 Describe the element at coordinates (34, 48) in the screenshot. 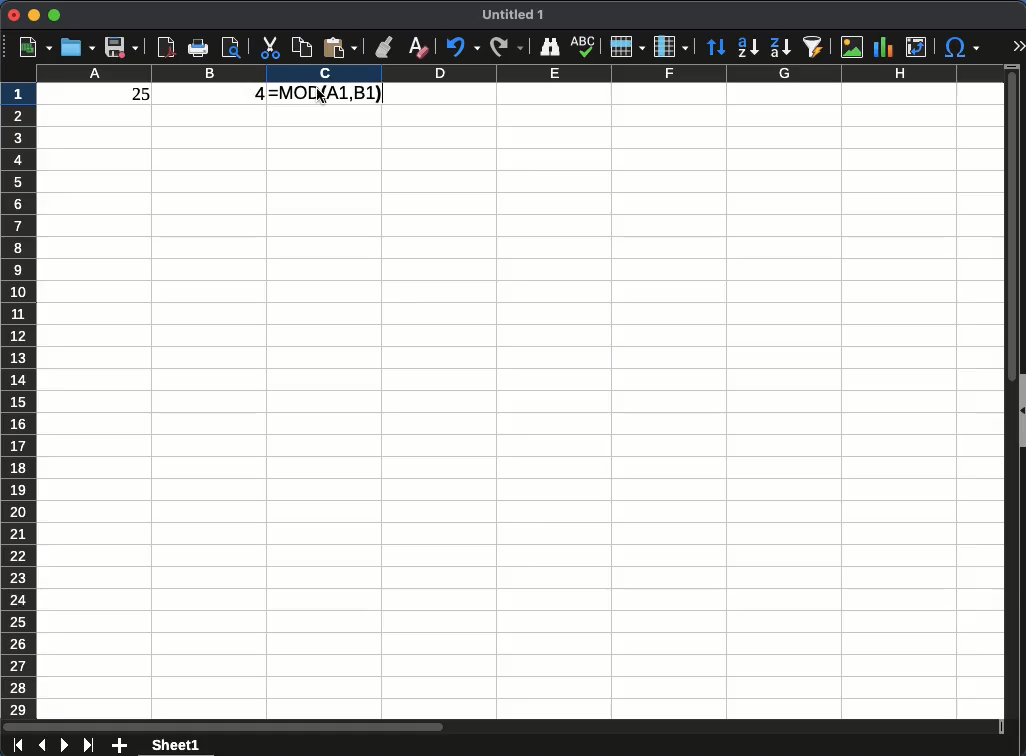

I see `new` at that location.